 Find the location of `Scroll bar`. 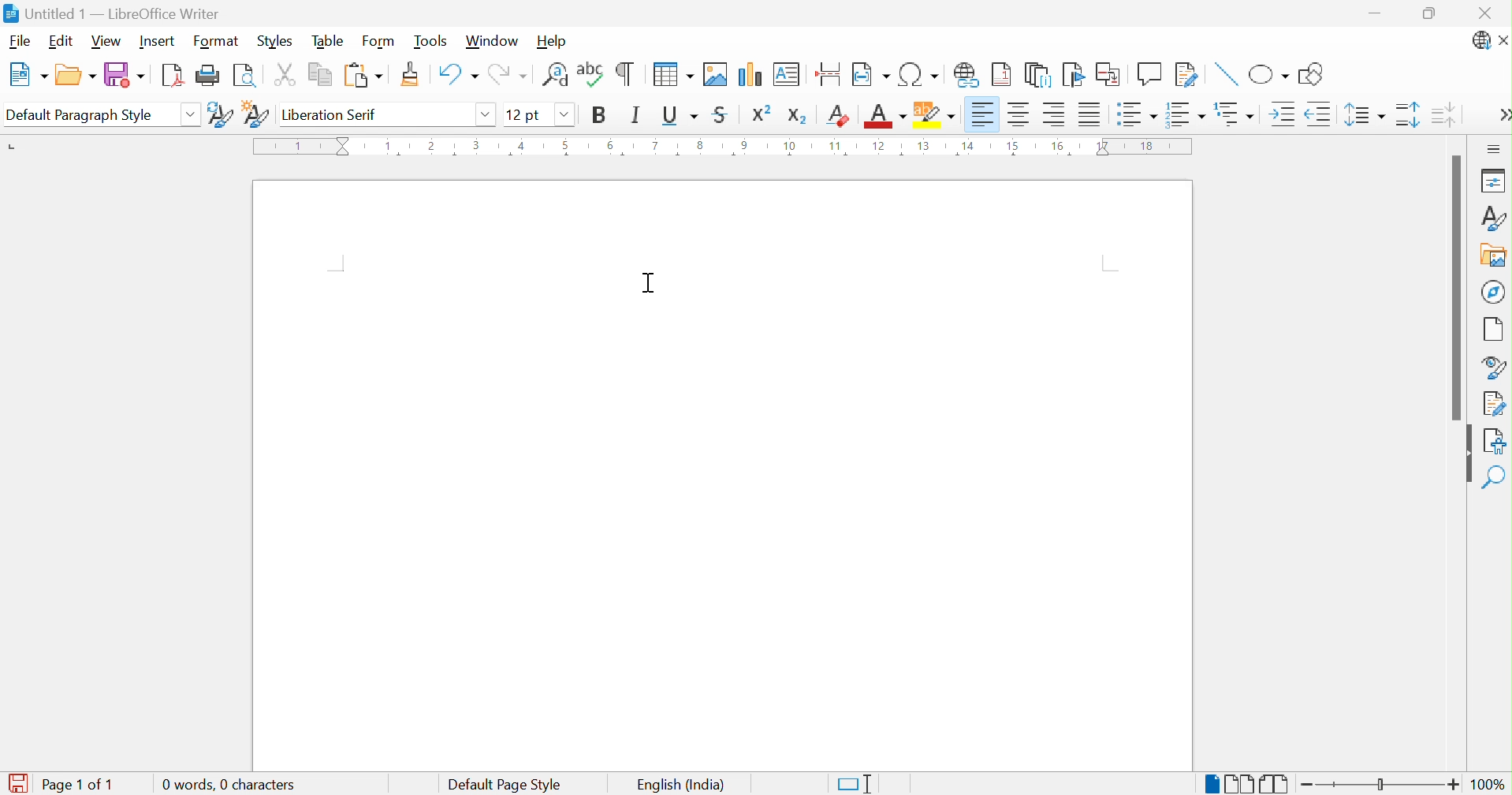

Scroll bar is located at coordinates (1458, 285).